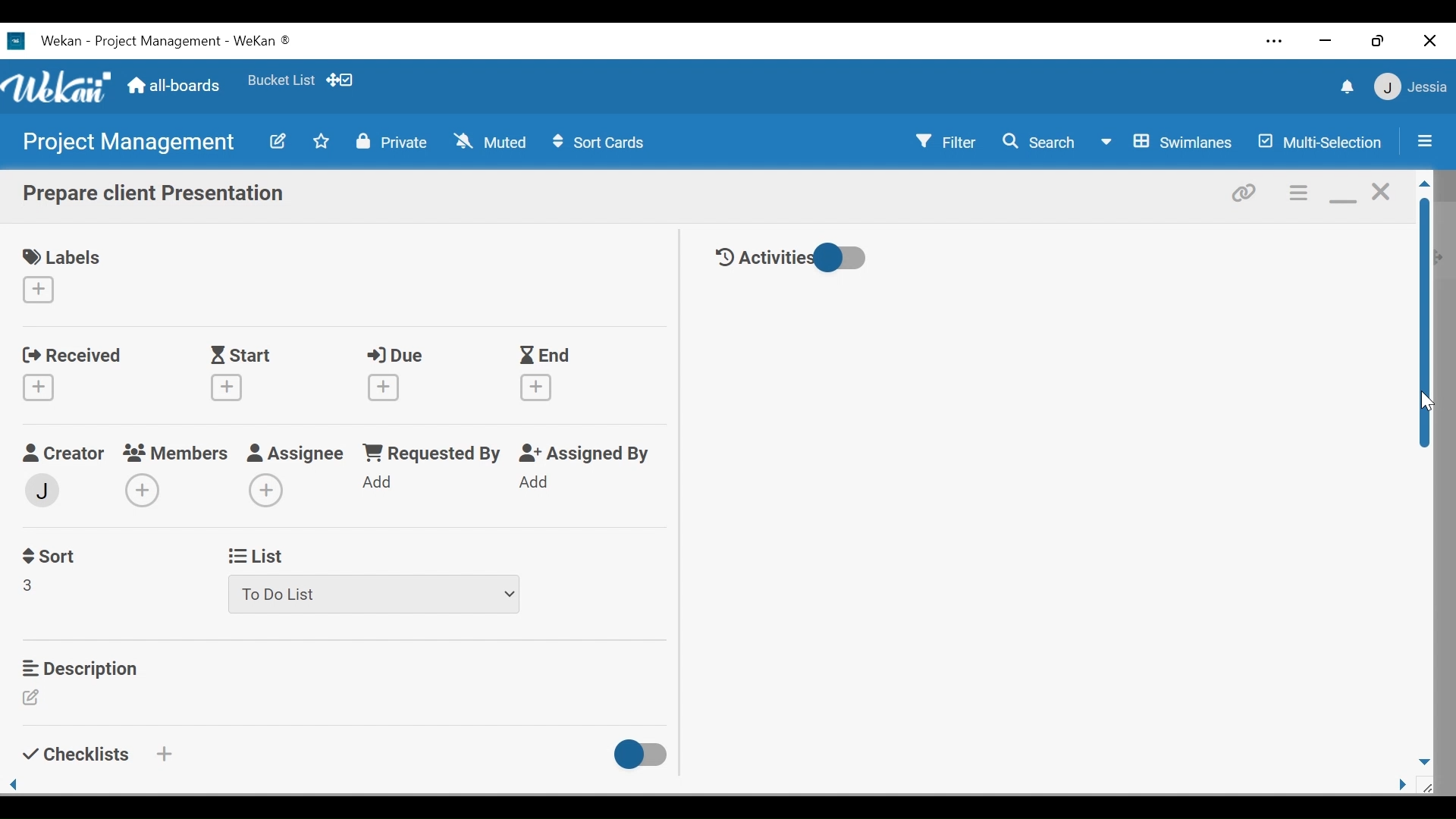 The height and width of the screenshot is (819, 1456). What do you see at coordinates (265, 490) in the screenshot?
I see `Add Assignee` at bounding box center [265, 490].